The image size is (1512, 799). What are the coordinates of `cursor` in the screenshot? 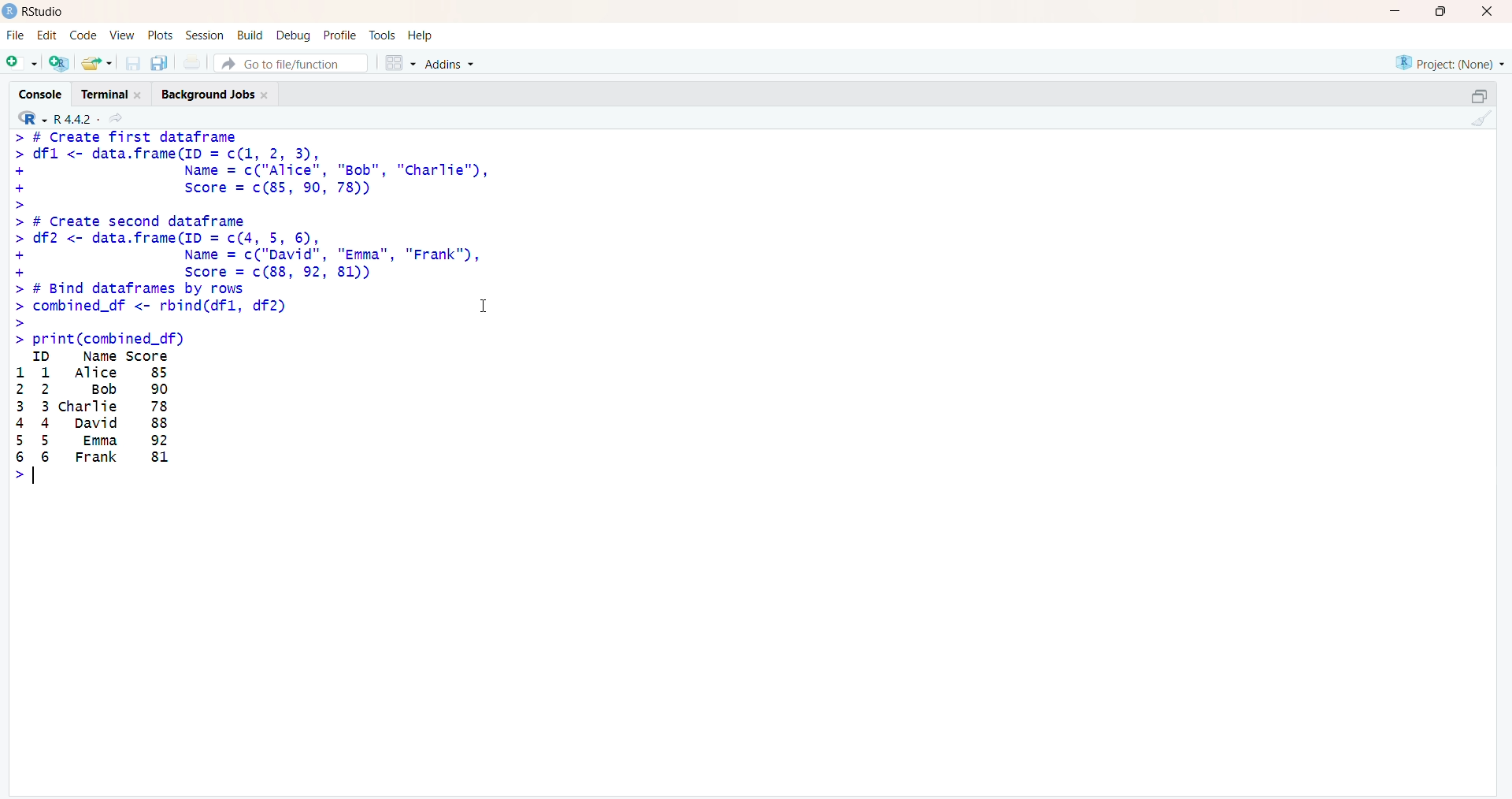 It's located at (486, 304).